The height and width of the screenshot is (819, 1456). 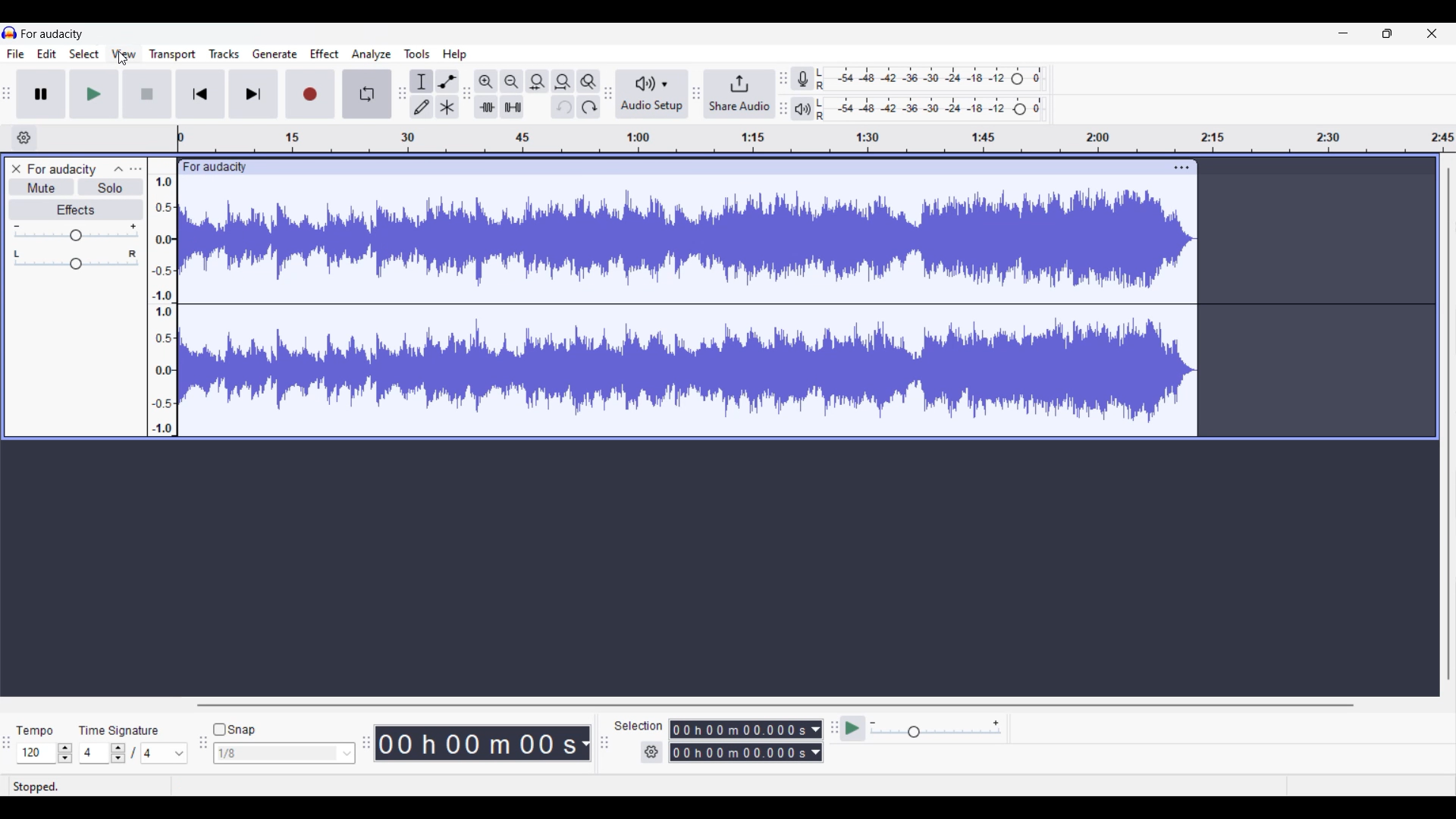 I want to click on Fit selection to width, so click(x=537, y=82).